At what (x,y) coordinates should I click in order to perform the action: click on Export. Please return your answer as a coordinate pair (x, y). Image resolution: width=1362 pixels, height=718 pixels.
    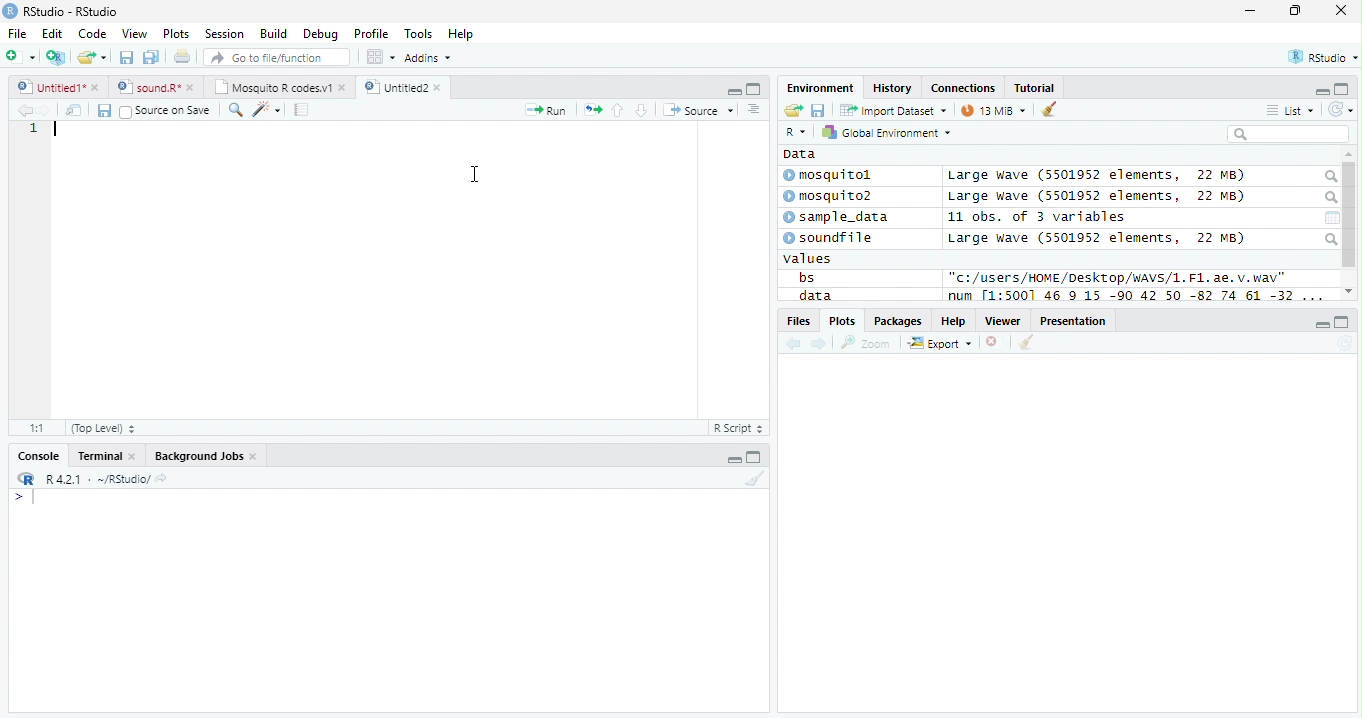
    Looking at the image, I should click on (940, 344).